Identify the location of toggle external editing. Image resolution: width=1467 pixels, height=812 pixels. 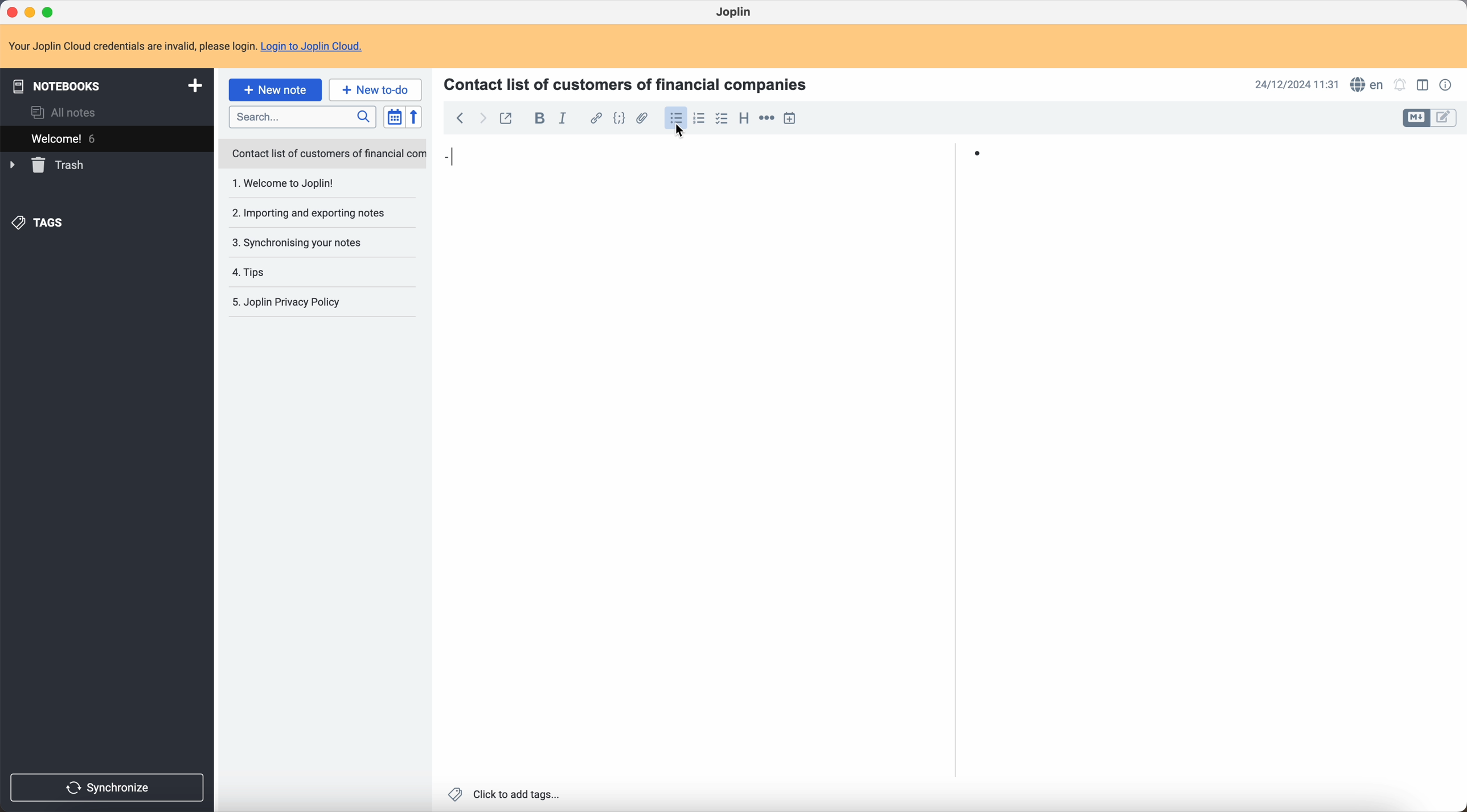
(509, 117).